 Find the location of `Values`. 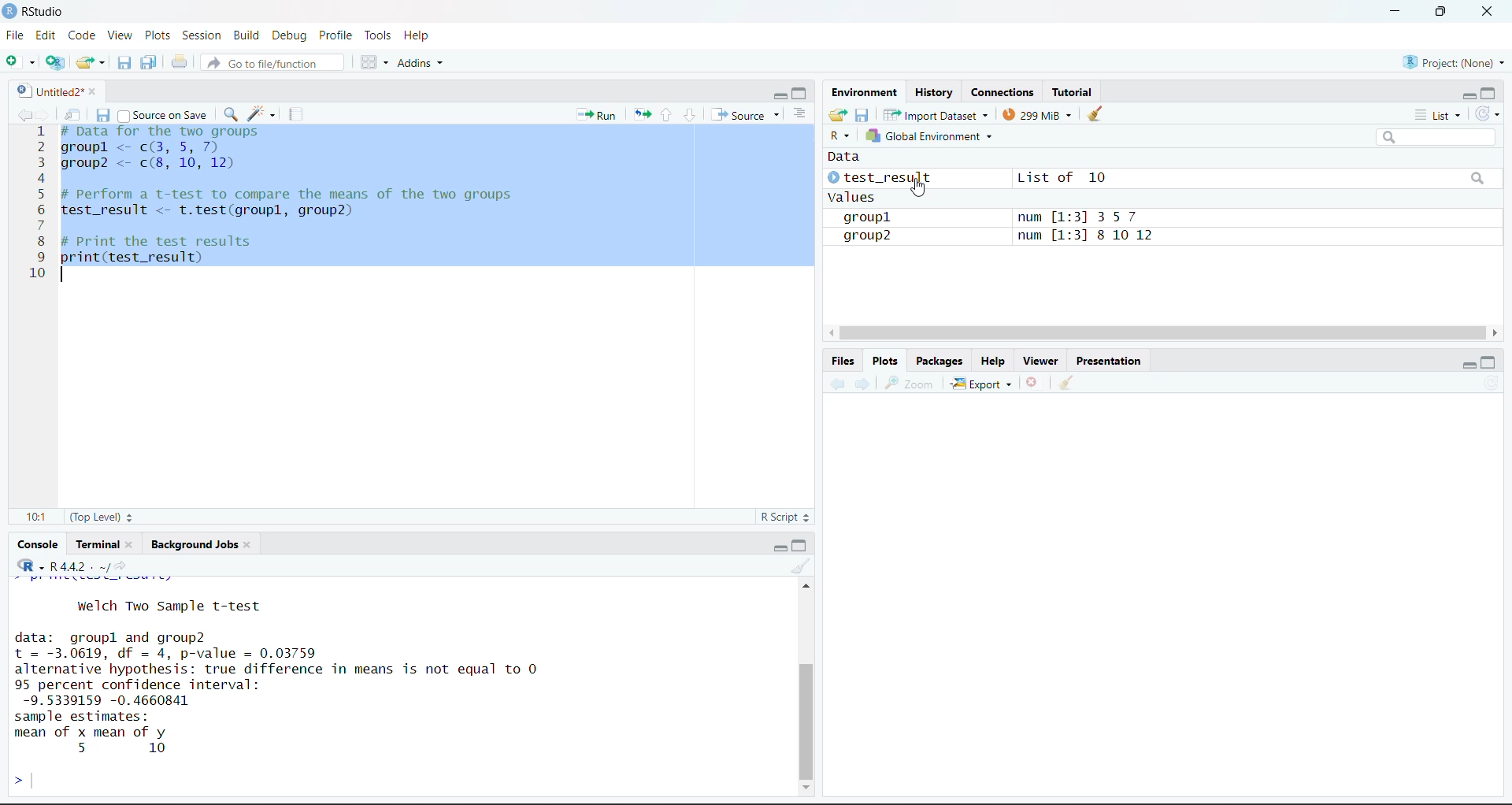

Values is located at coordinates (851, 196).